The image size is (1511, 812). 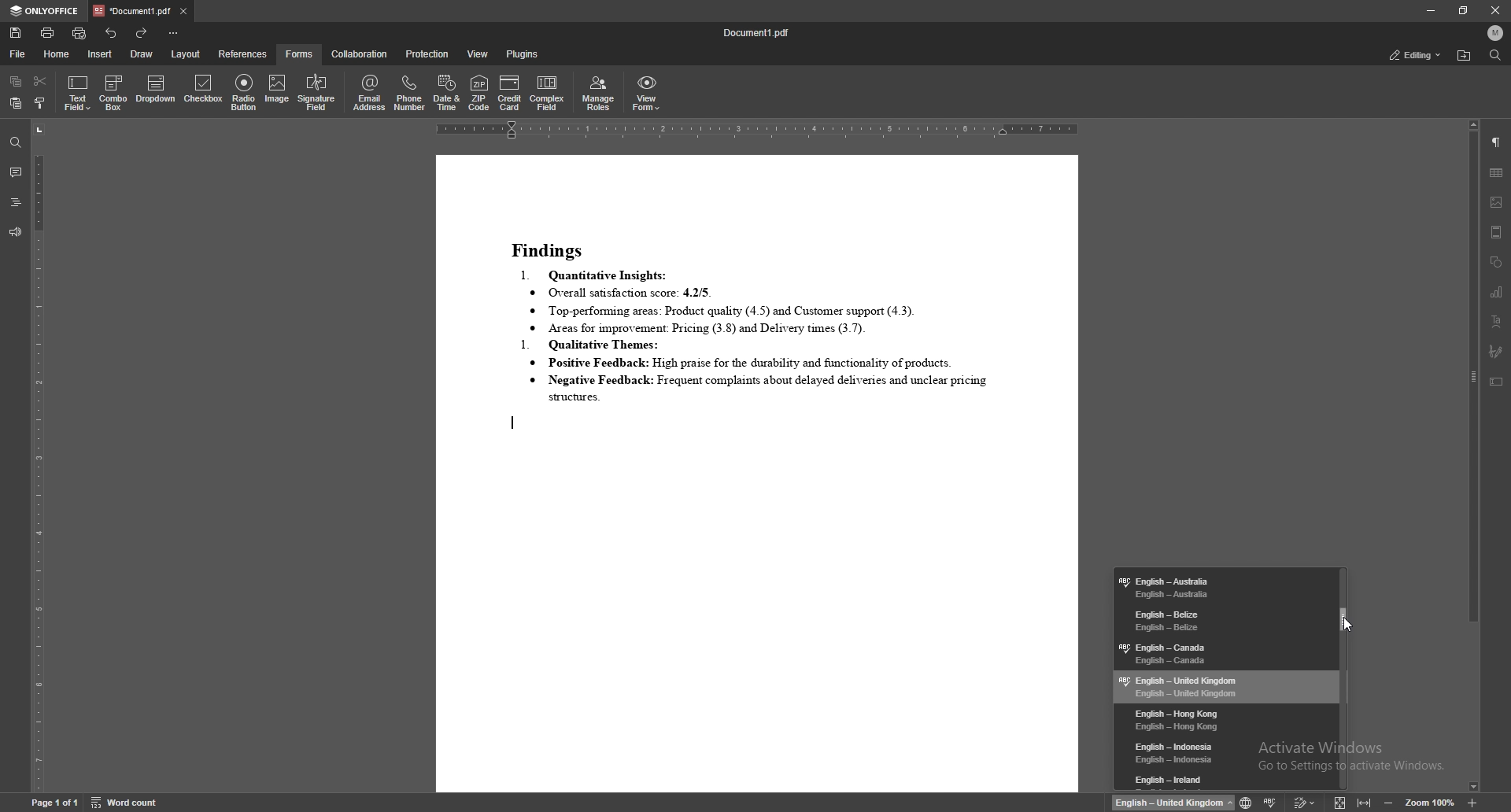 I want to click on close tab, so click(x=183, y=12).